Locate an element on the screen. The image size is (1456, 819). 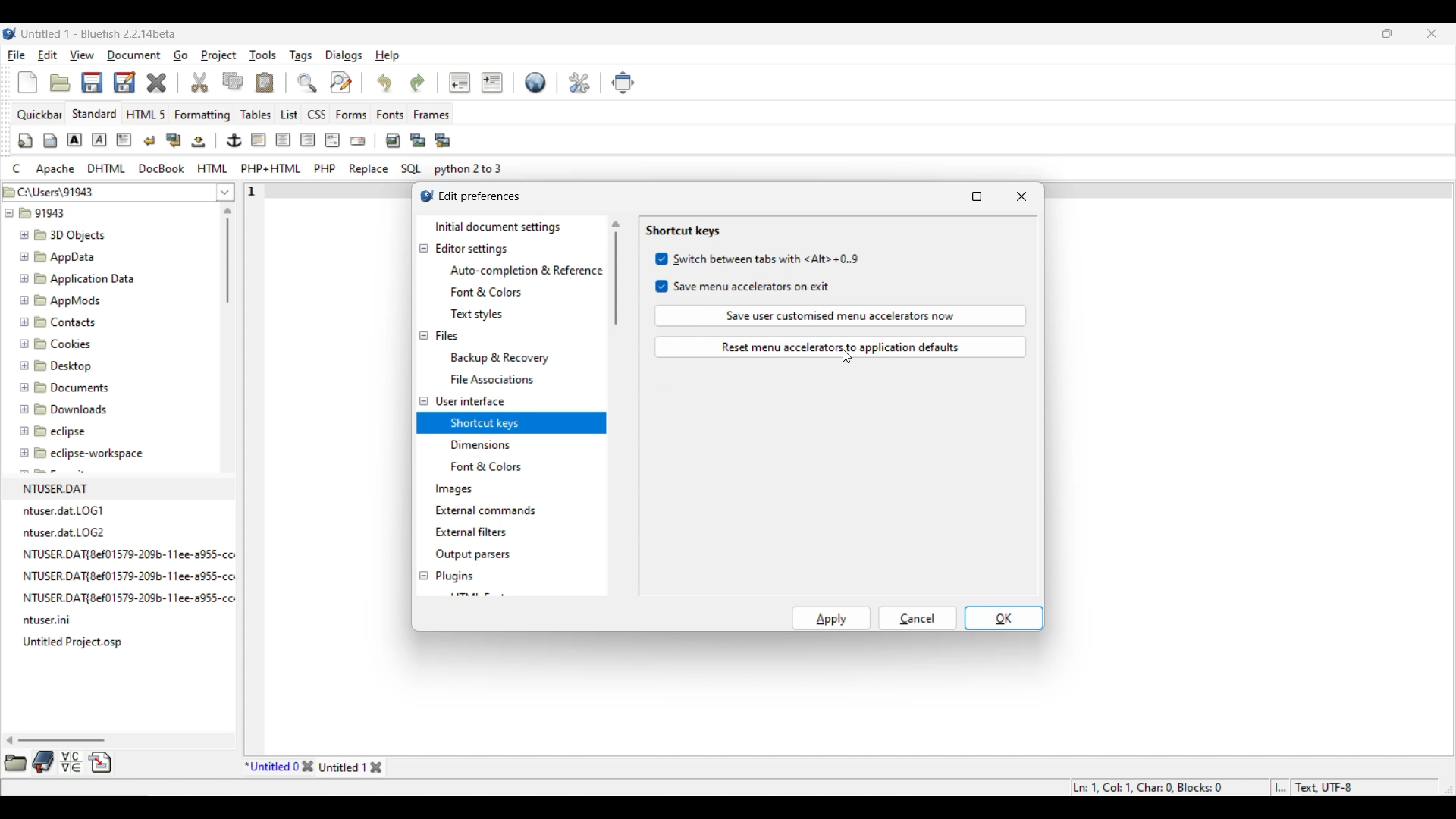
Open is located at coordinates (60, 83).